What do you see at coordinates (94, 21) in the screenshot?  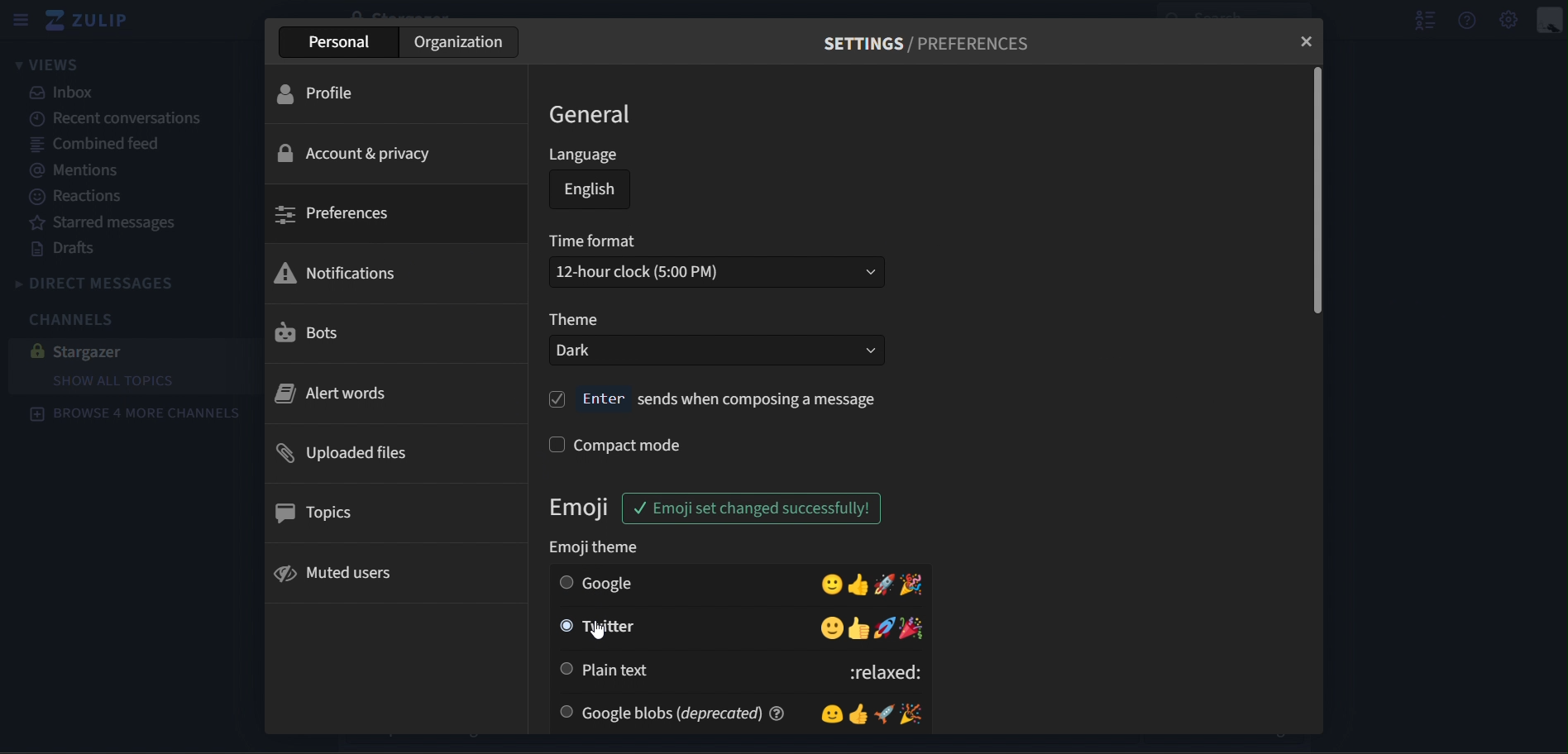 I see `zulip` at bounding box center [94, 21].